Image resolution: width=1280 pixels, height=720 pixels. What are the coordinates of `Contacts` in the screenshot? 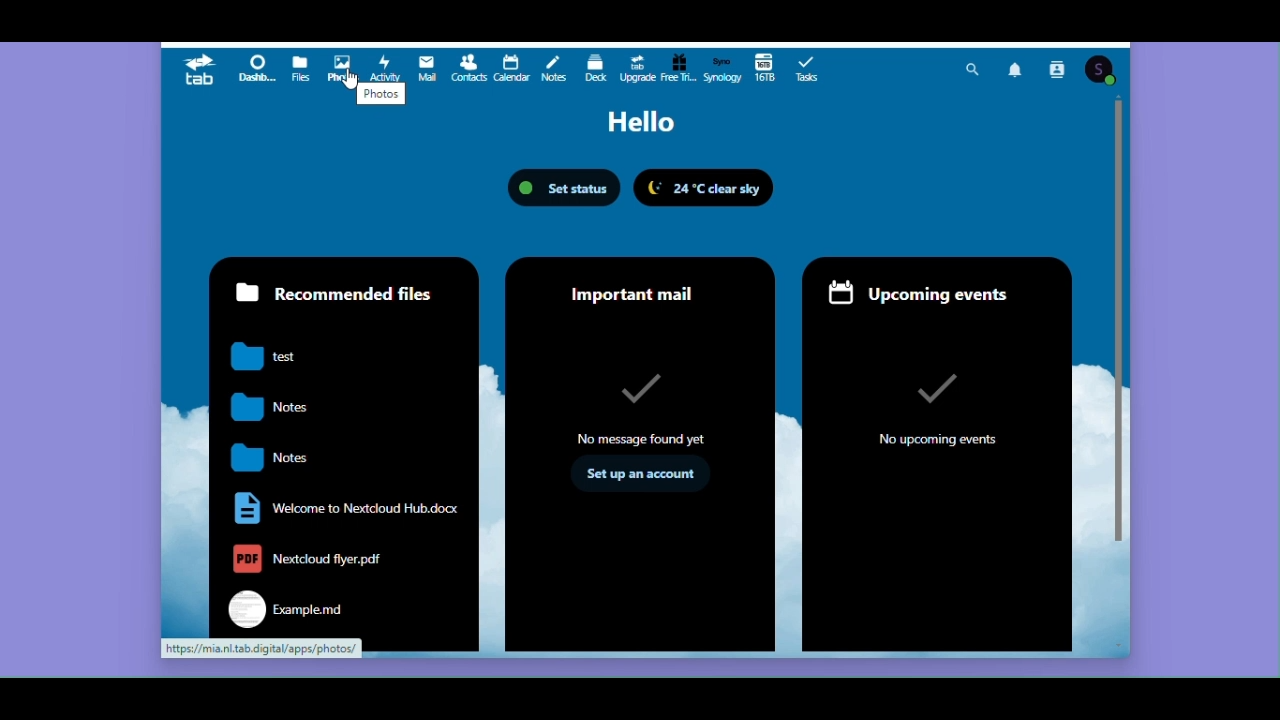 It's located at (469, 68).